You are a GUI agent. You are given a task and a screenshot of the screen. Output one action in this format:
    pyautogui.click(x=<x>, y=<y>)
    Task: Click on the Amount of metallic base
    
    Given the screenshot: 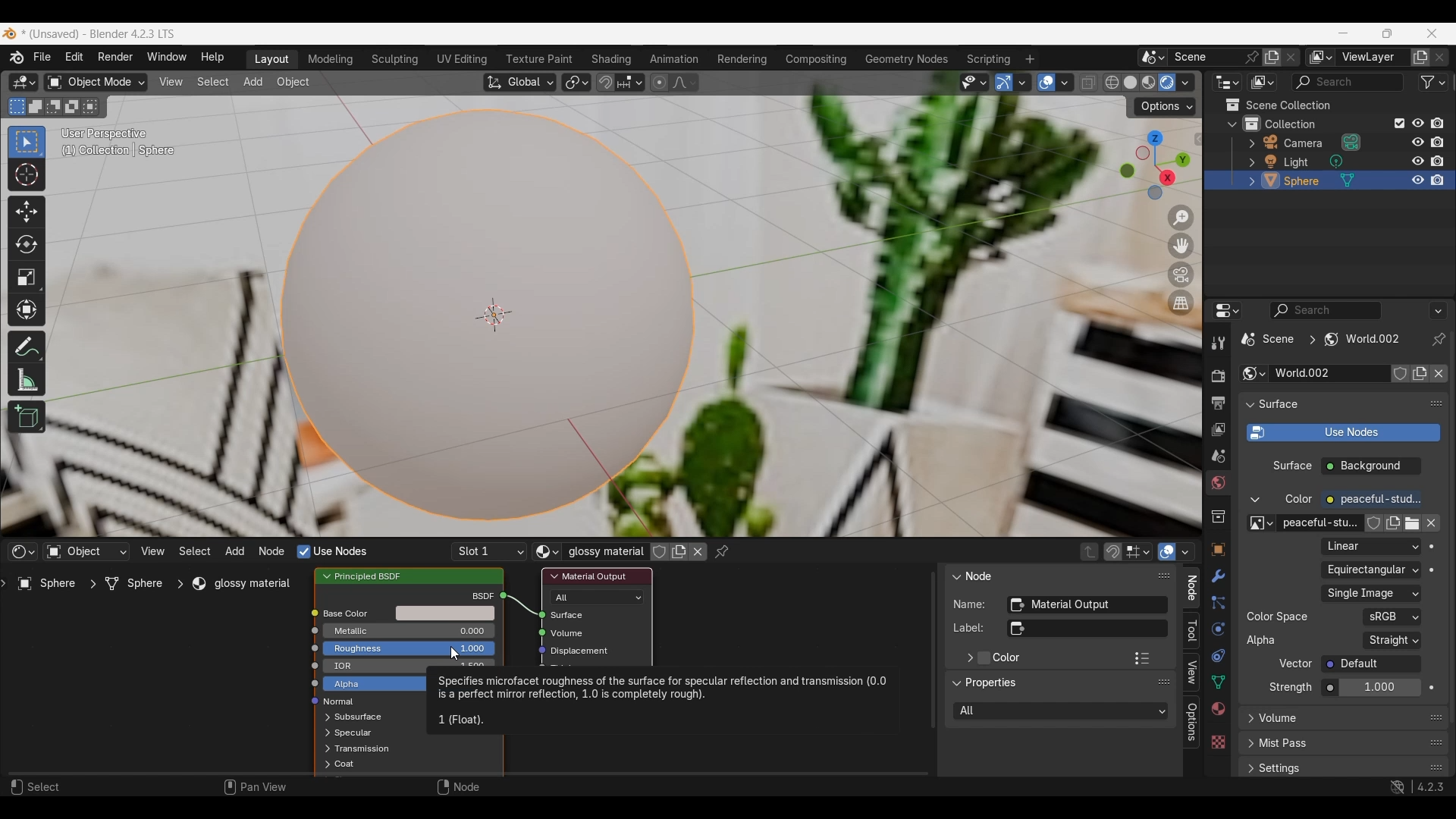 What is the action you would take?
    pyautogui.click(x=409, y=631)
    